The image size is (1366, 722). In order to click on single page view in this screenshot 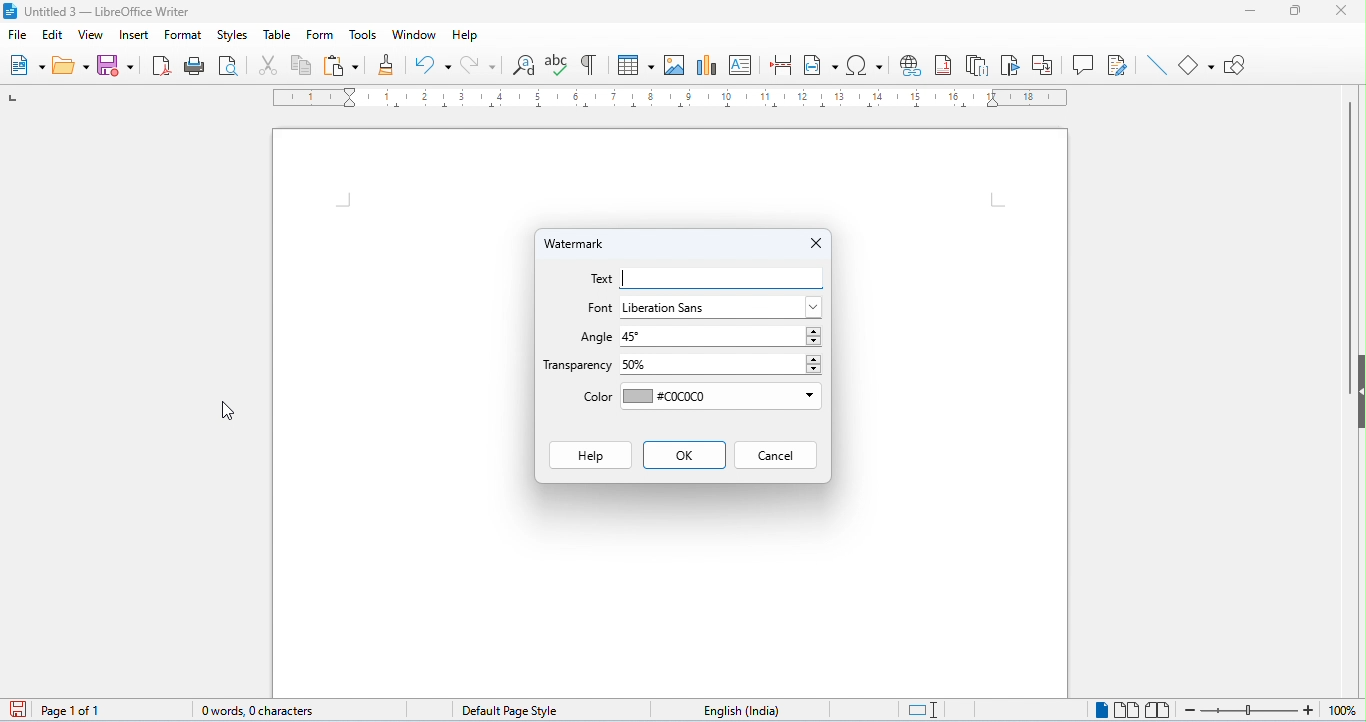, I will do `click(1101, 710)`.